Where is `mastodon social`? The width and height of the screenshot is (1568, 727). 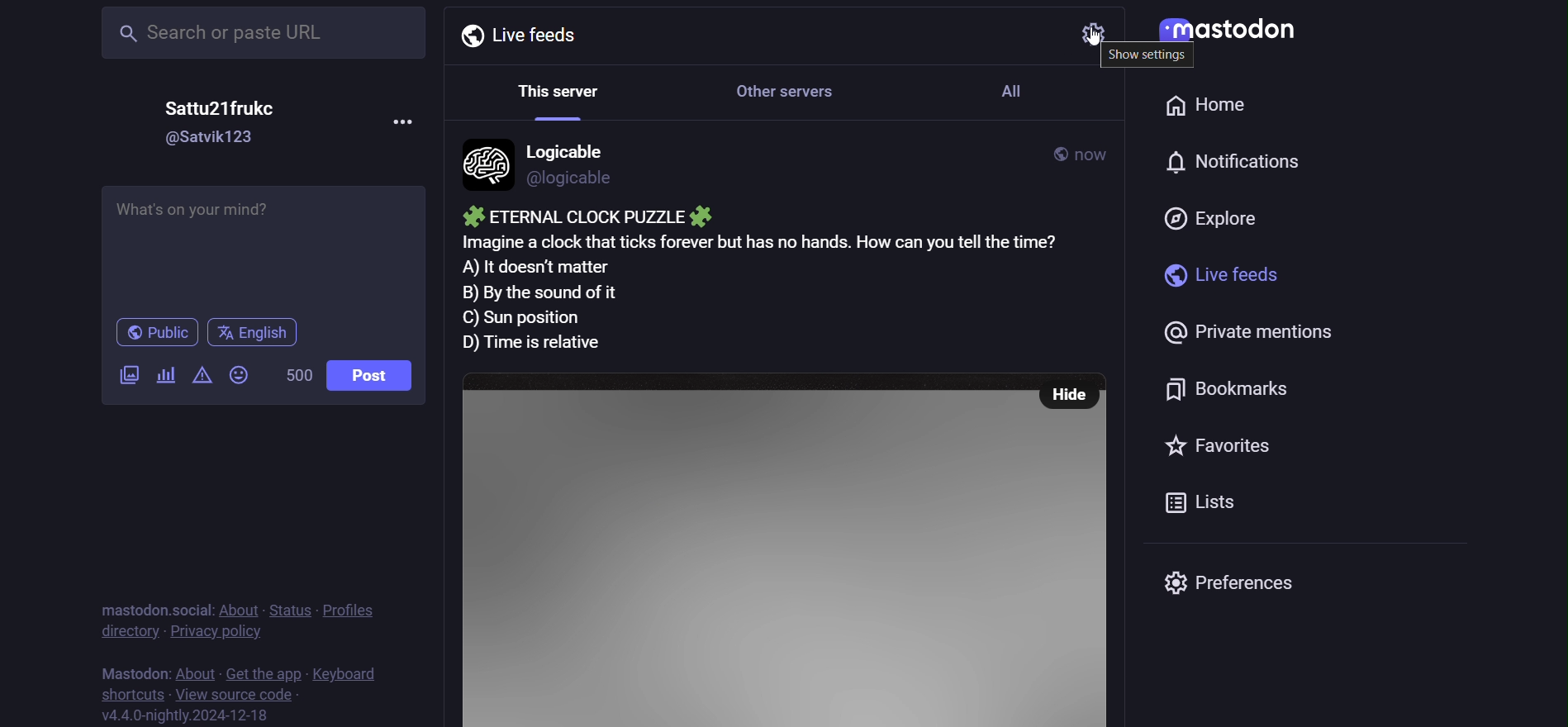
mastodon social is located at coordinates (152, 606).